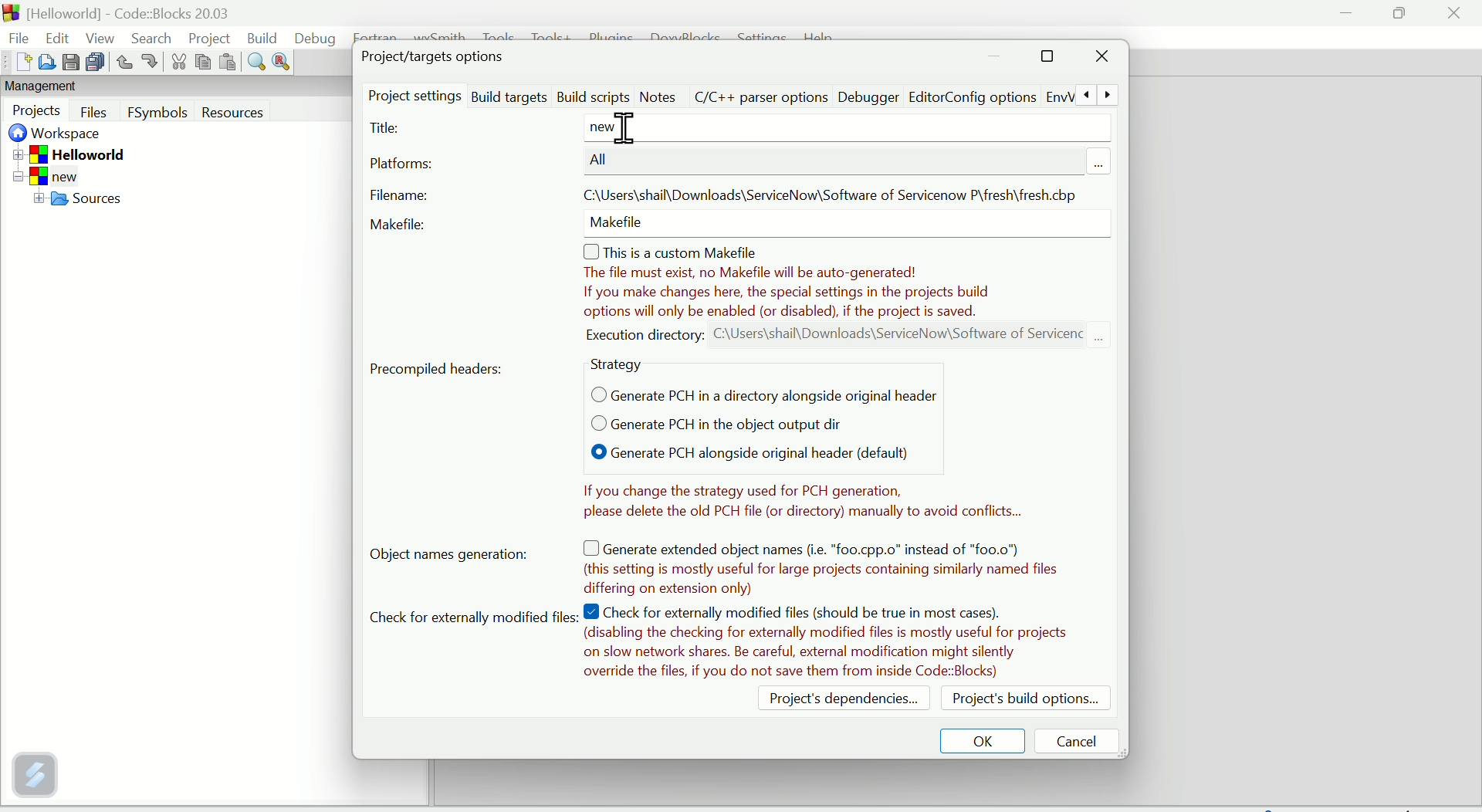  Describe the element at coordinates (1047, 58) in the screenshot. I see `Maximise` at that location.